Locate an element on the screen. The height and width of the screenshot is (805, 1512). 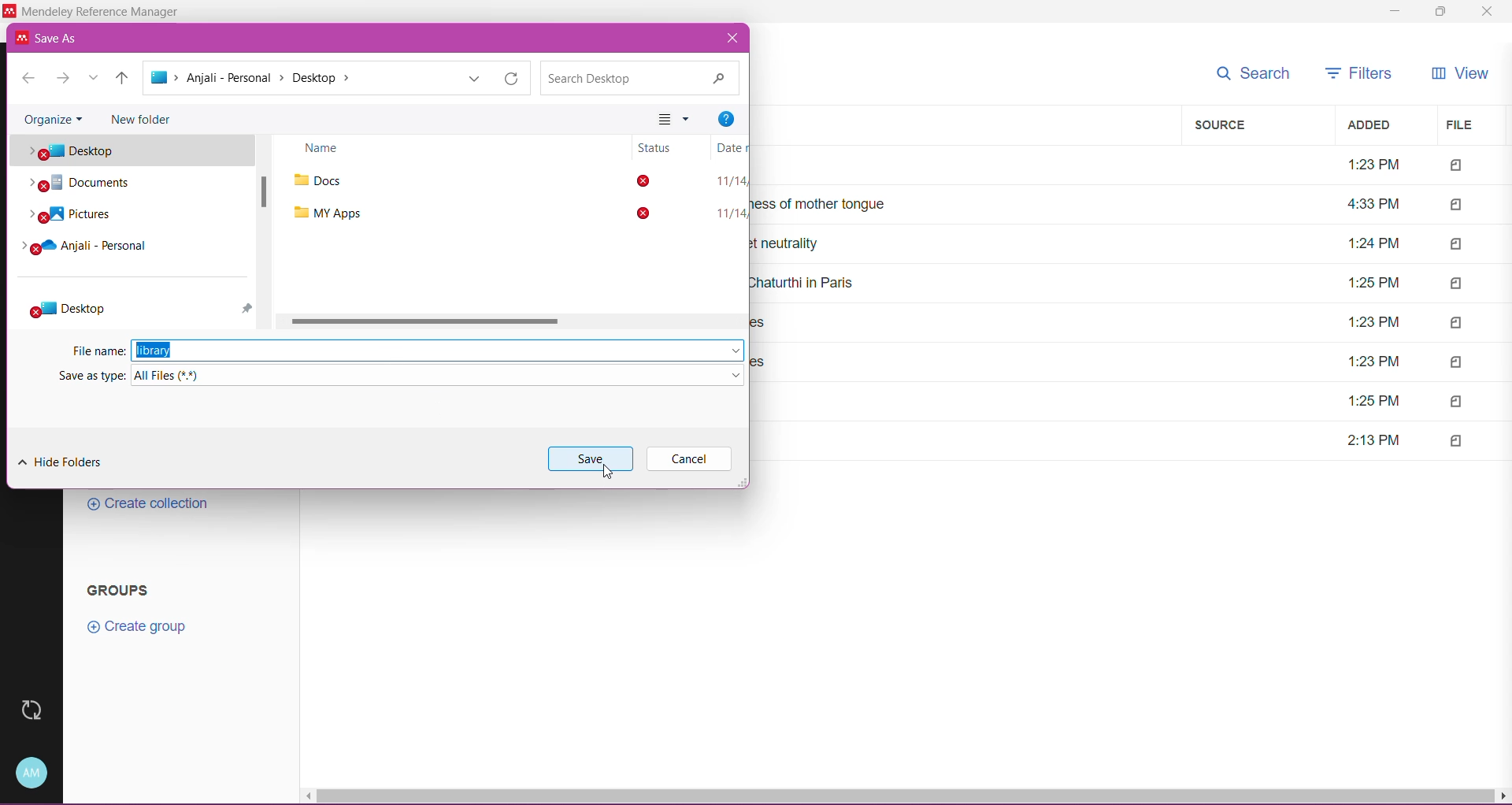
11/14 is located at coordinates (729, 180).